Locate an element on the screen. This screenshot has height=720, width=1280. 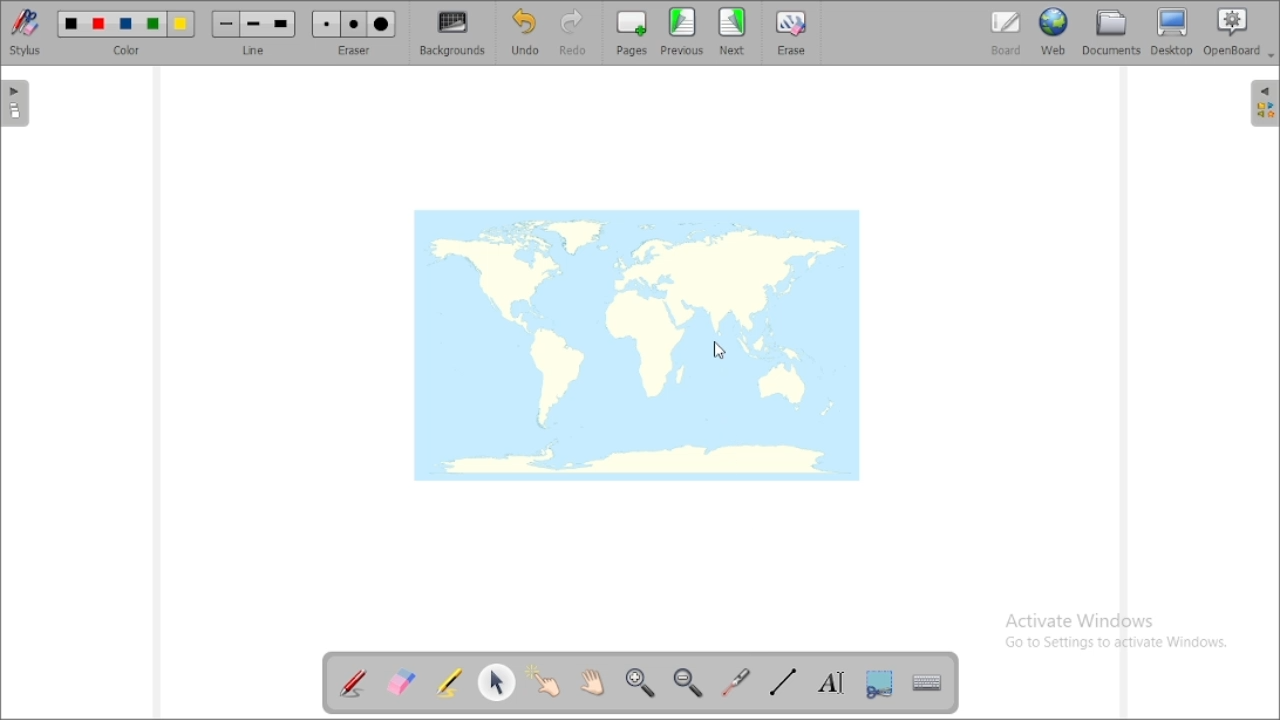
capture part of the screen is located at coordinates (880, 684).